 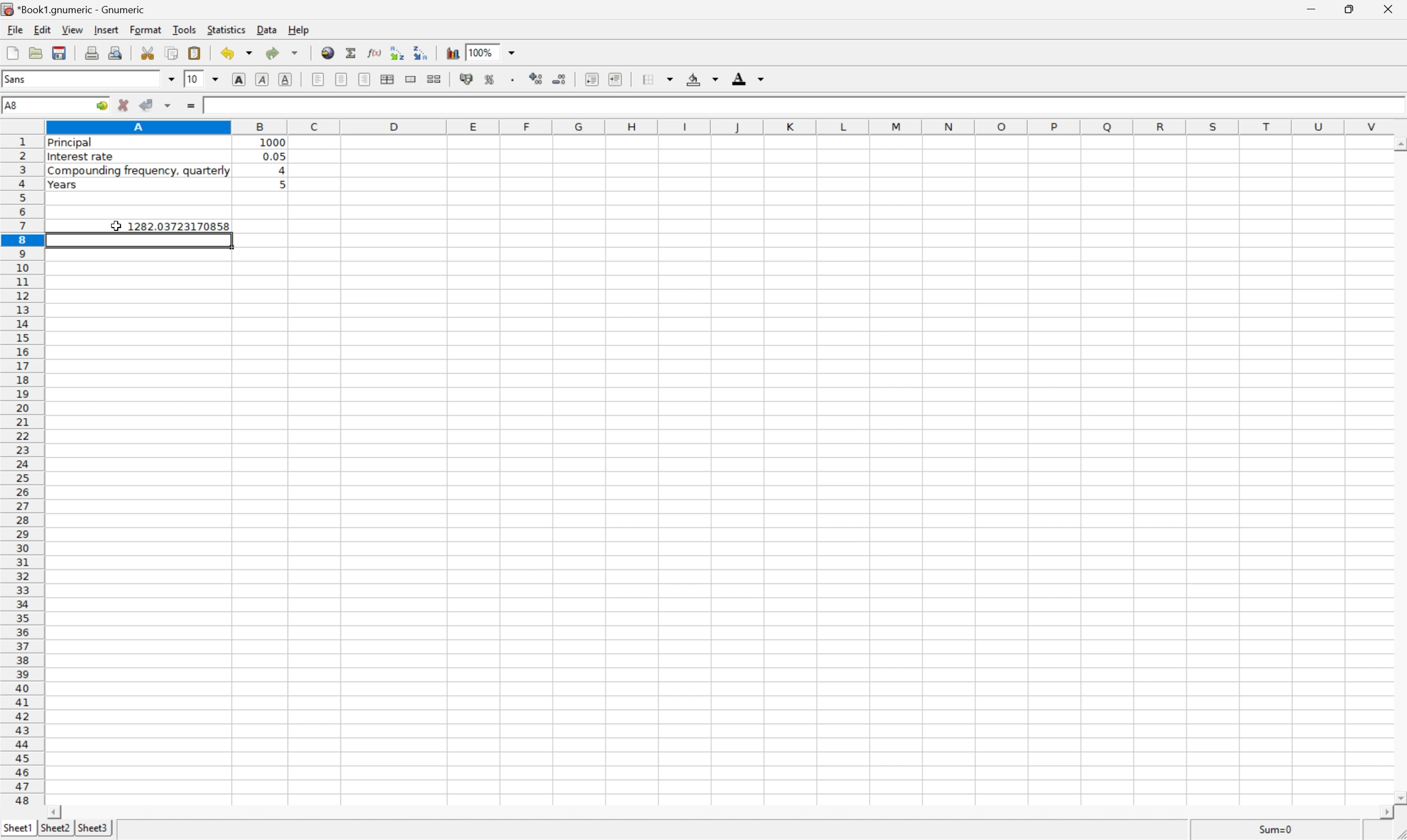 I want to click on foreground, so click(x=746, y=78).